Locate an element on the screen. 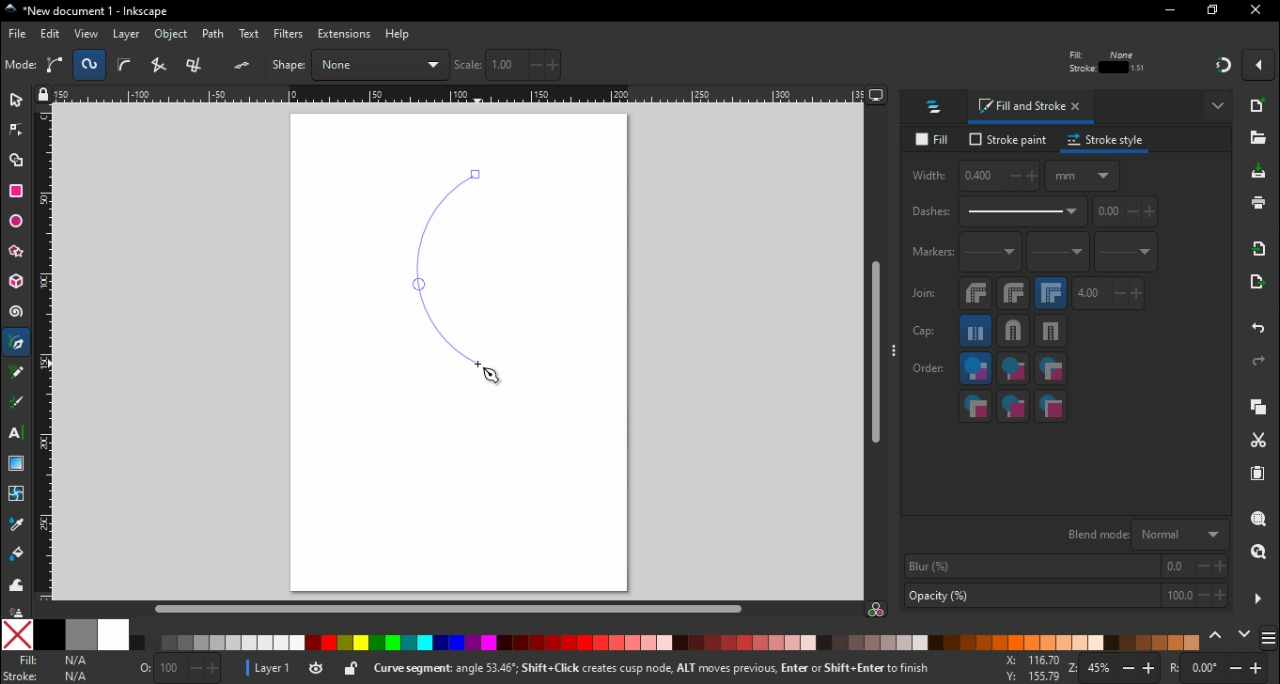 The image size is (1280, 684). vertical ruler is located at coordinates (45, 356).